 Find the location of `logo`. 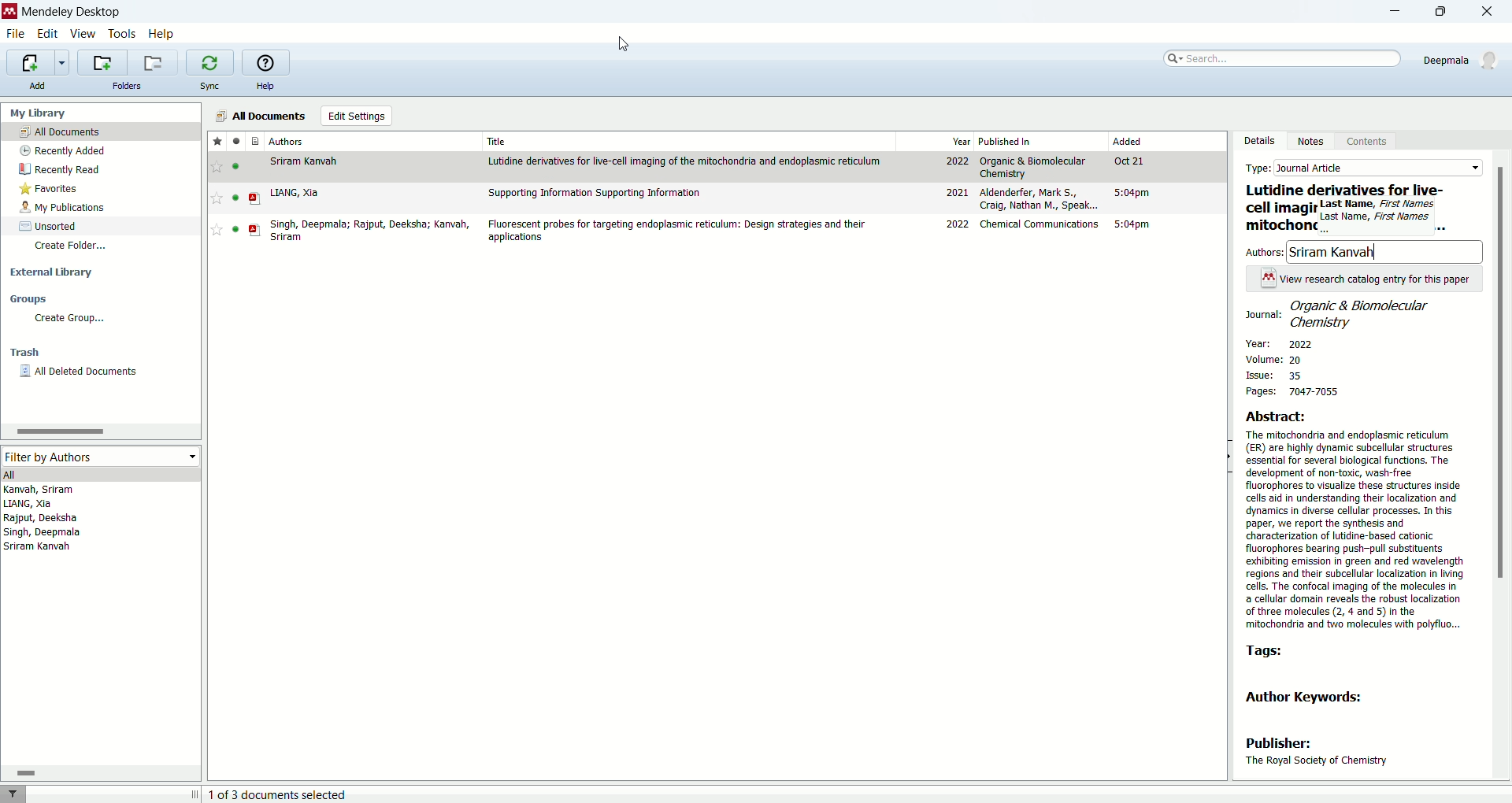

logo is located at coordinates (9, 12).